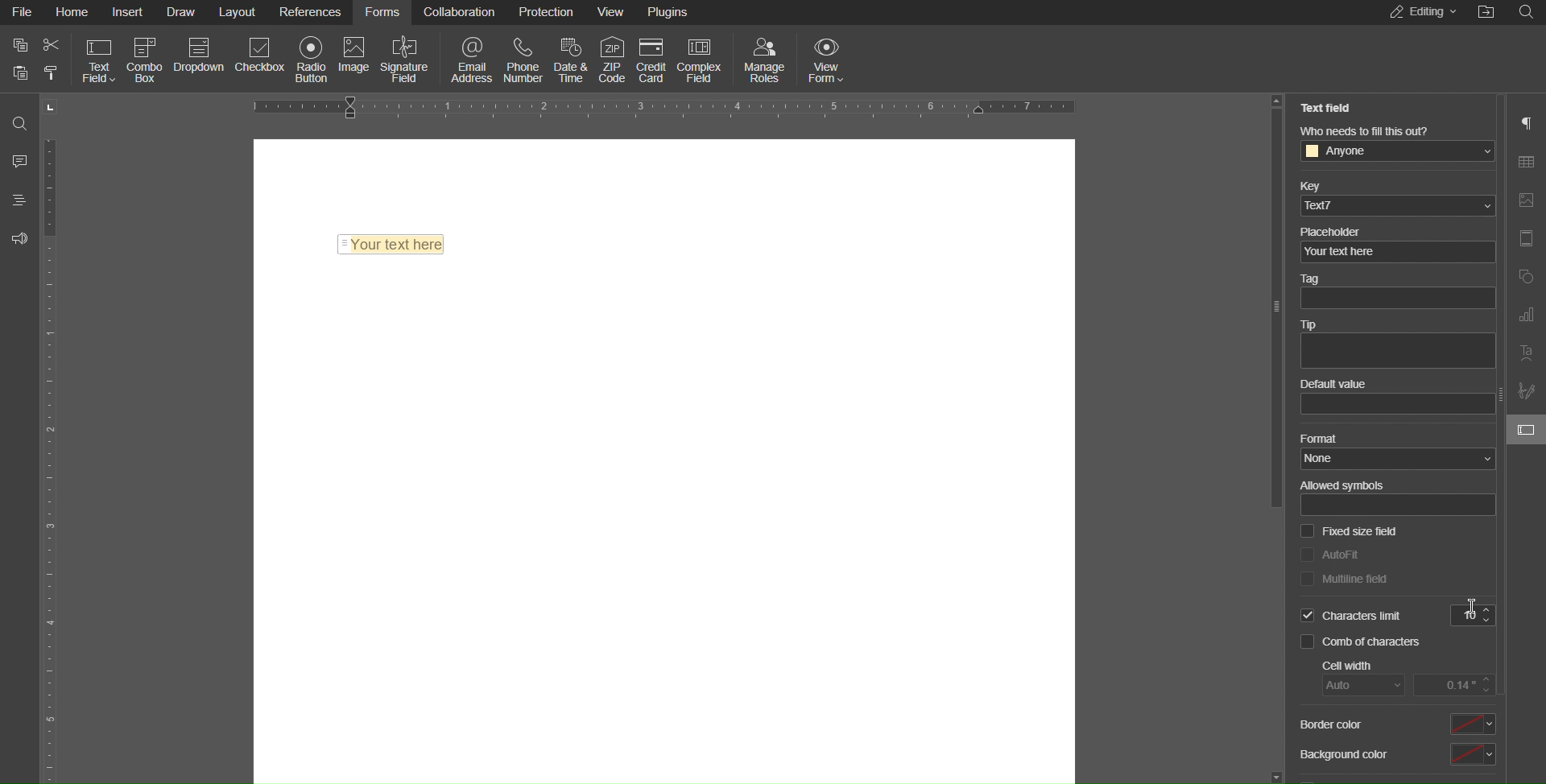 The image size is (1546, 784). Describe the element at coordinates (51, 74) in the screenshot. I see `paste` at that location.